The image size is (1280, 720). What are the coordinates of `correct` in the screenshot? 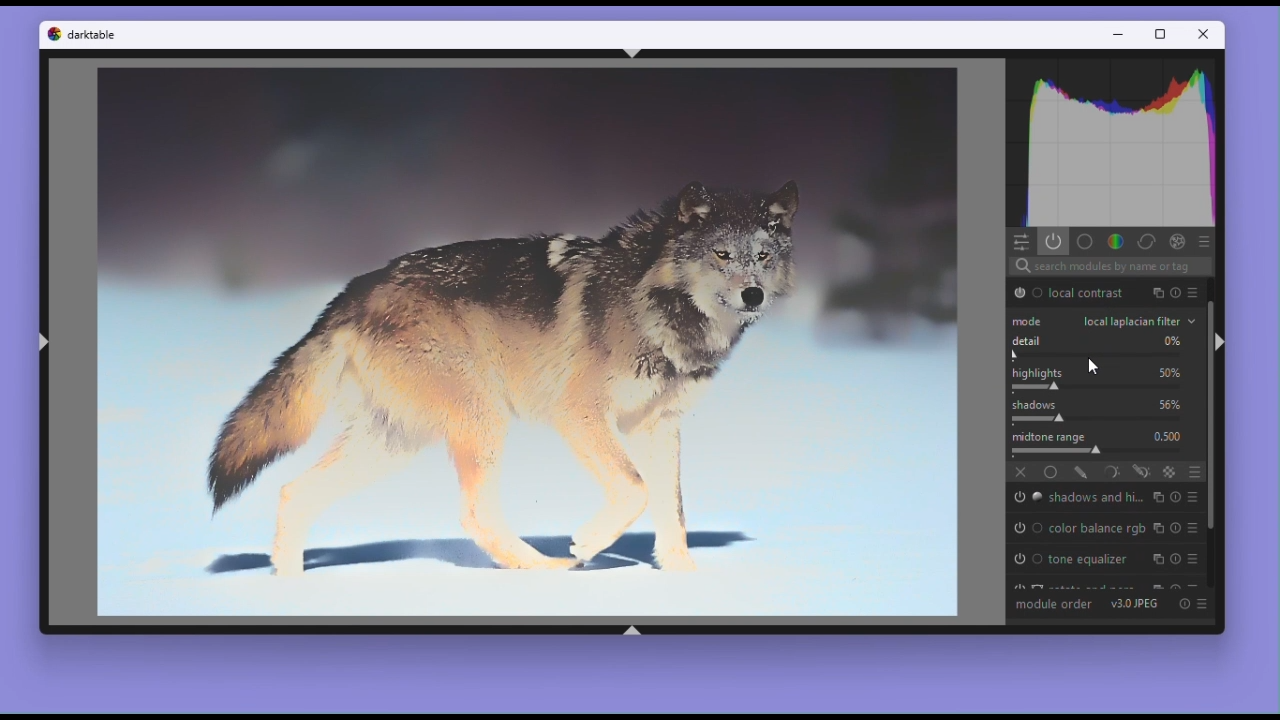 It's located at (1148, 242).